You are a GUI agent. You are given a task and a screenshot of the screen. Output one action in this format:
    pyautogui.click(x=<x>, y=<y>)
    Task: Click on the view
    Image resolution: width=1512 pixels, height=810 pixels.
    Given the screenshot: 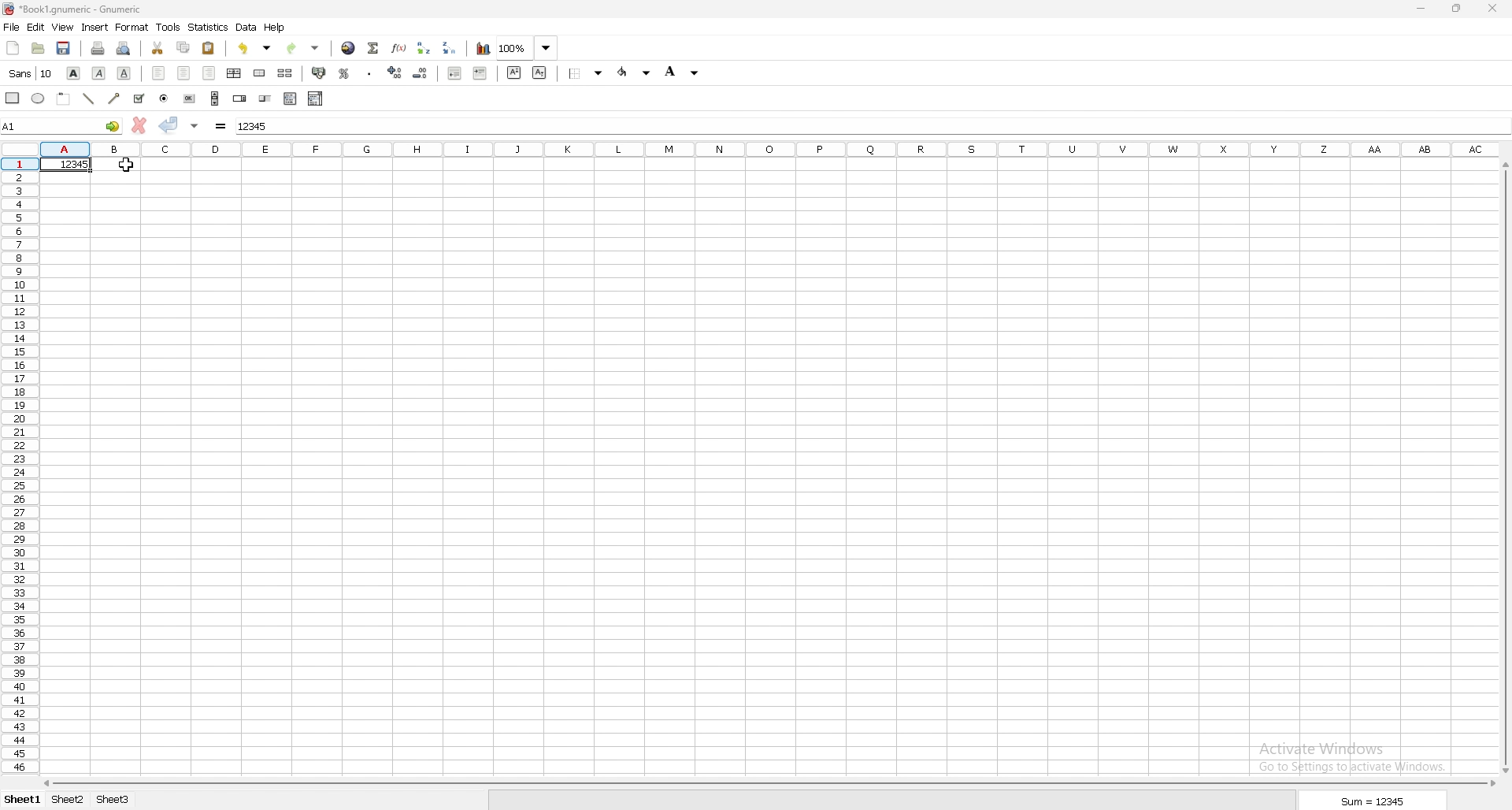 What is the action you would take?
    pyautogui.click(x=63, y=28)
    